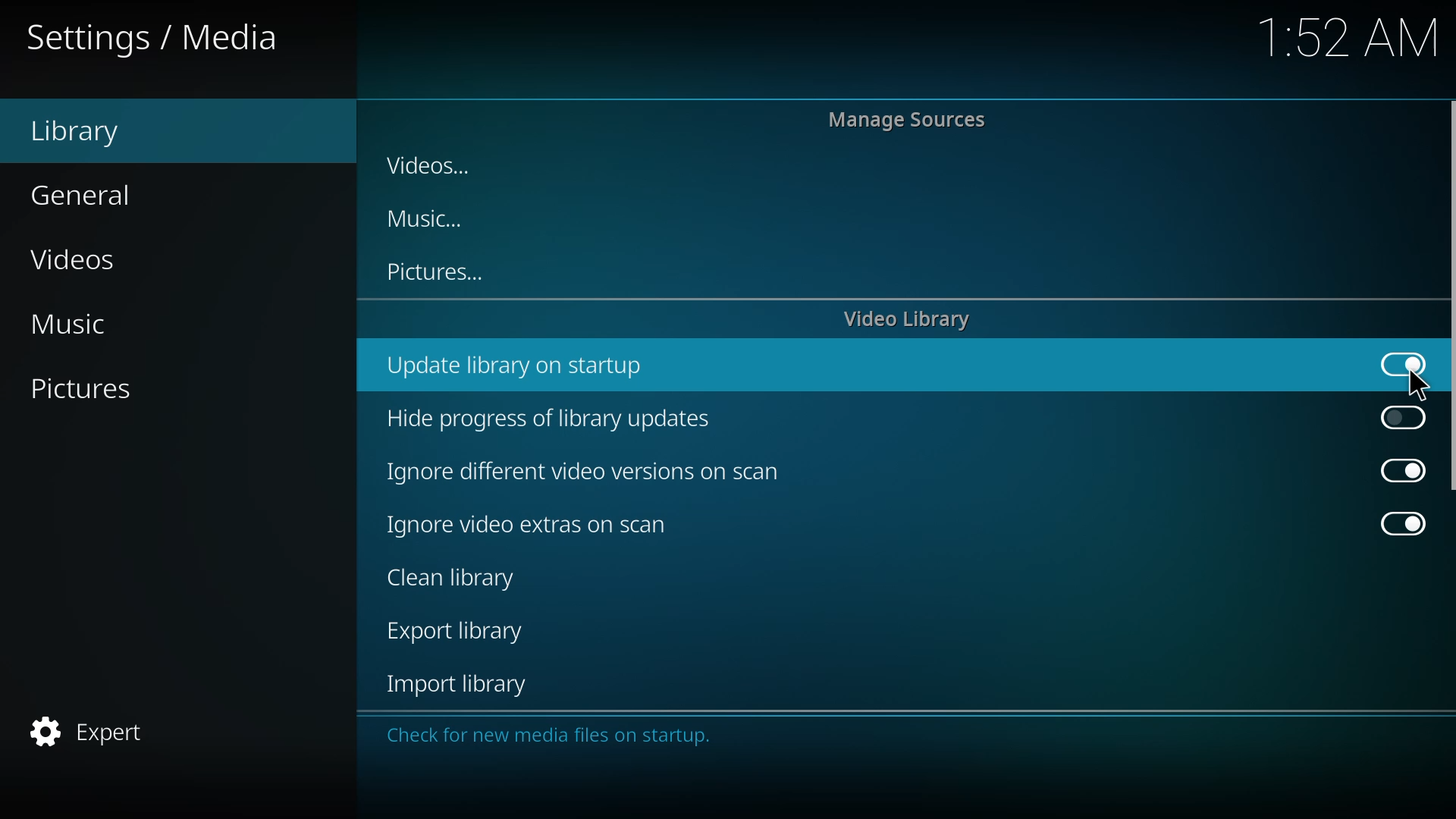 Image resolution: width=1456 pixels, height=819 pixels. I want to click on enabled, so click(1402, 362).